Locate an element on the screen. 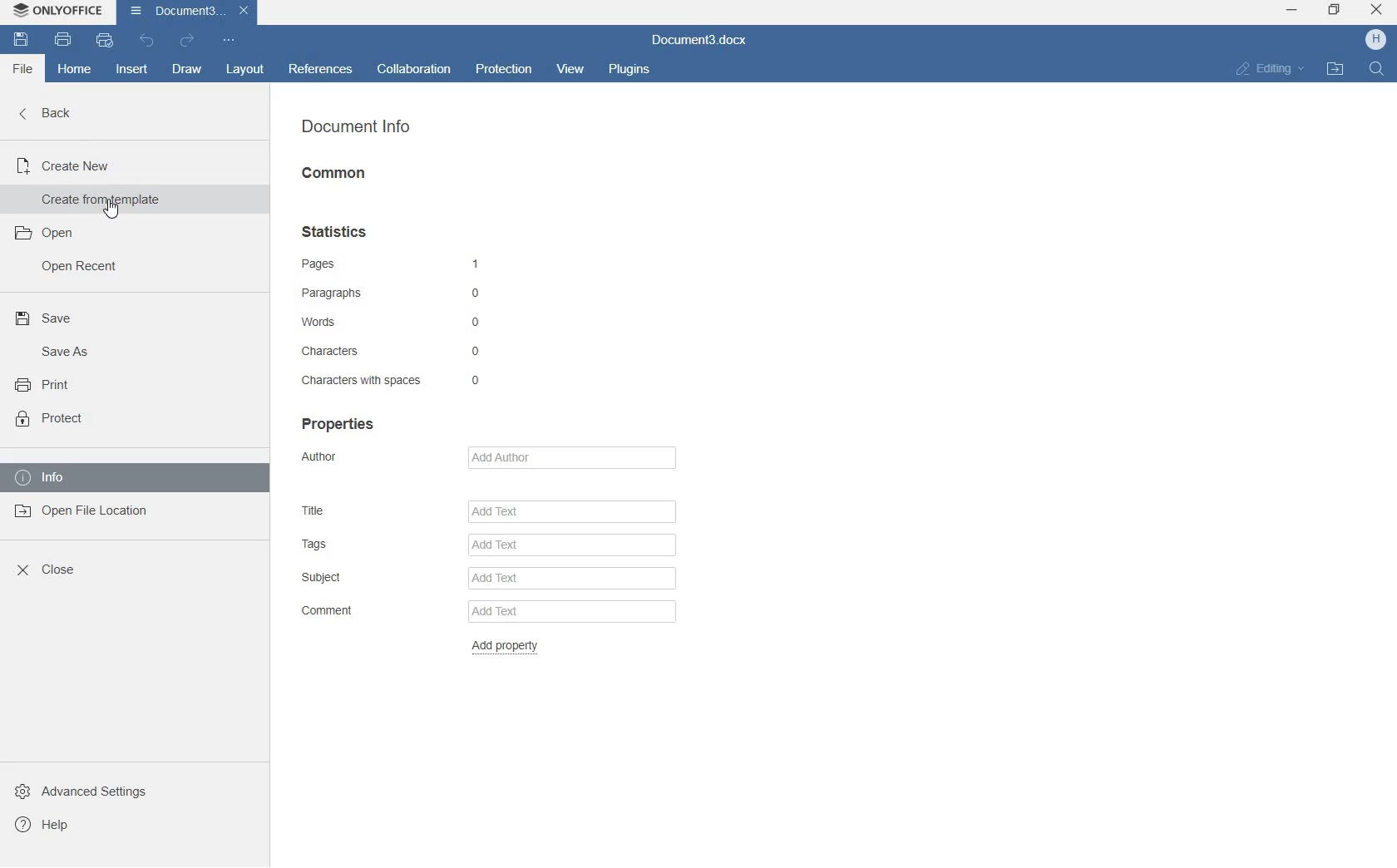 The image size is (1397, 868). create new is located at coordinates (87, 165).